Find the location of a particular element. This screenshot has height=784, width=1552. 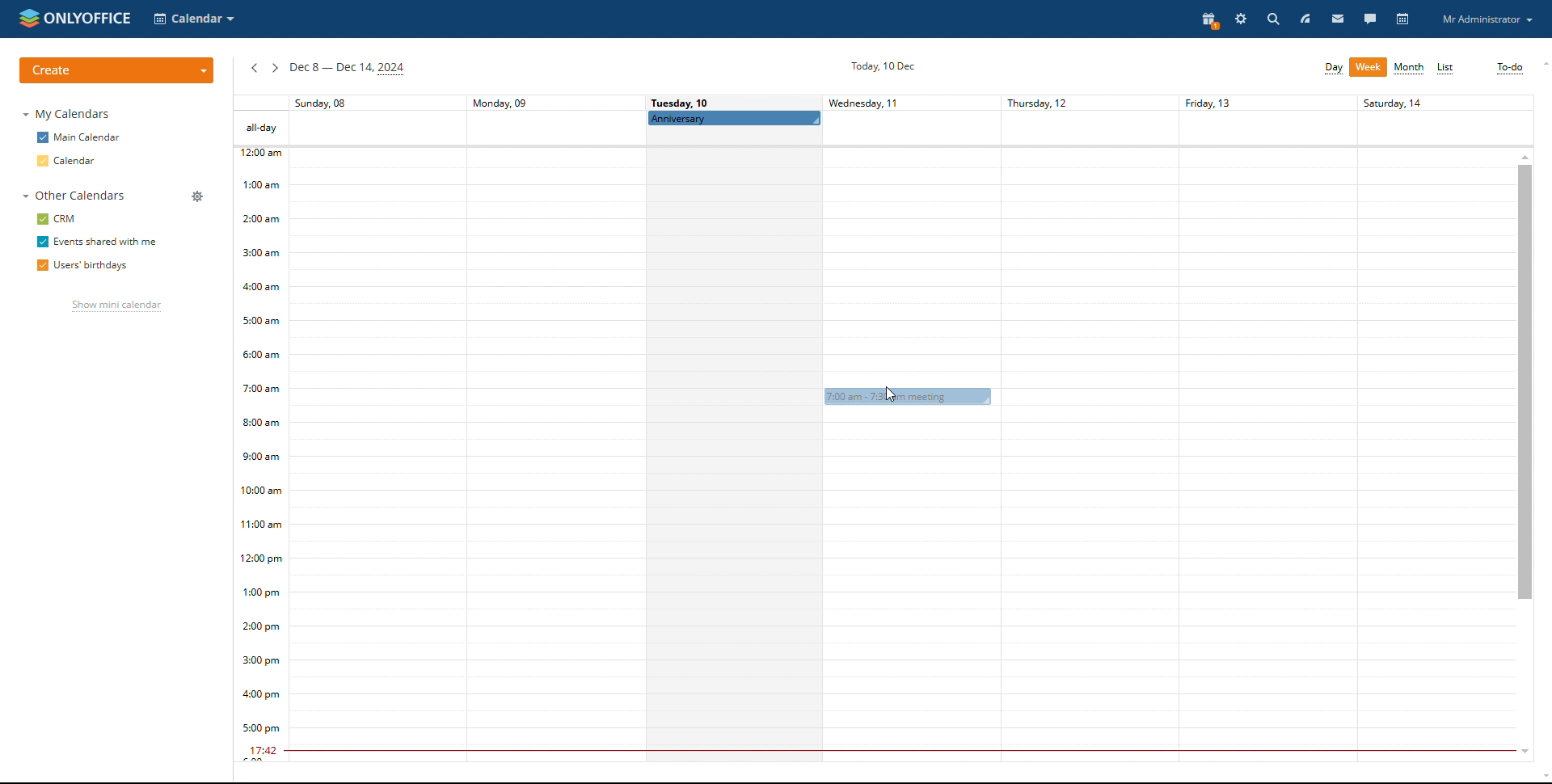

mail is located at coordinates (1336, 19).